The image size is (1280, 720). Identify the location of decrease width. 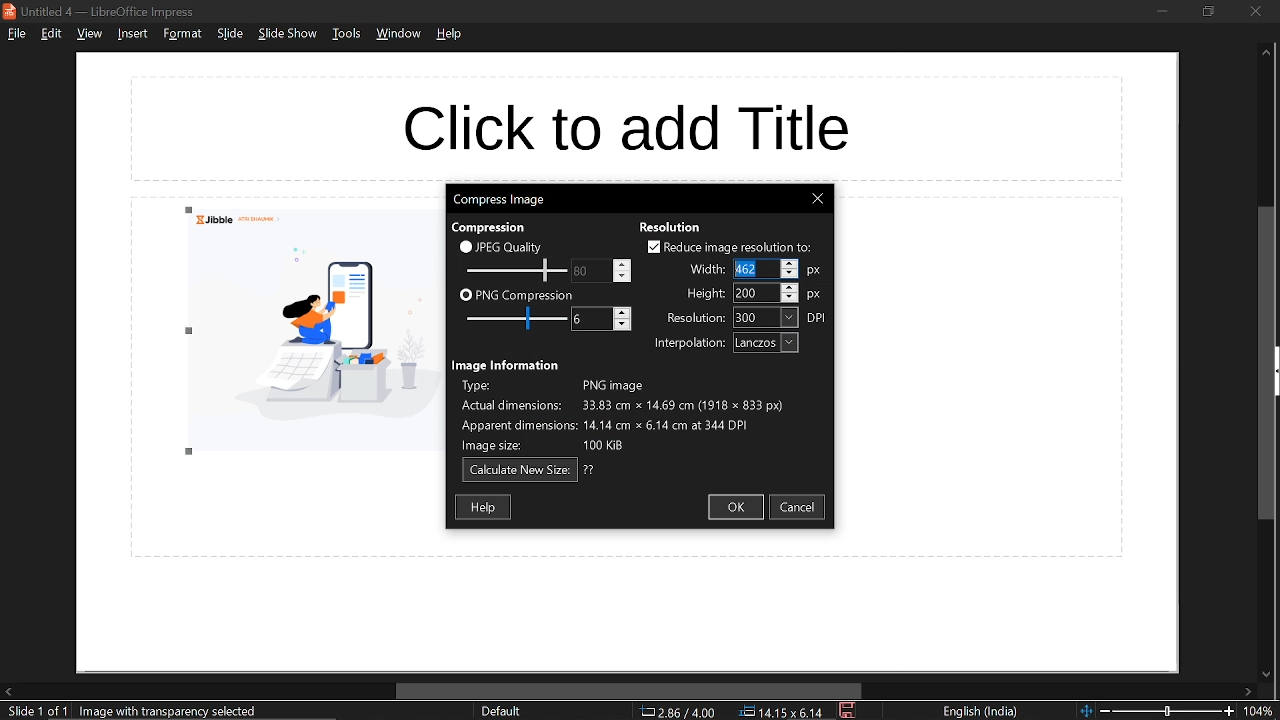
(790, 274).